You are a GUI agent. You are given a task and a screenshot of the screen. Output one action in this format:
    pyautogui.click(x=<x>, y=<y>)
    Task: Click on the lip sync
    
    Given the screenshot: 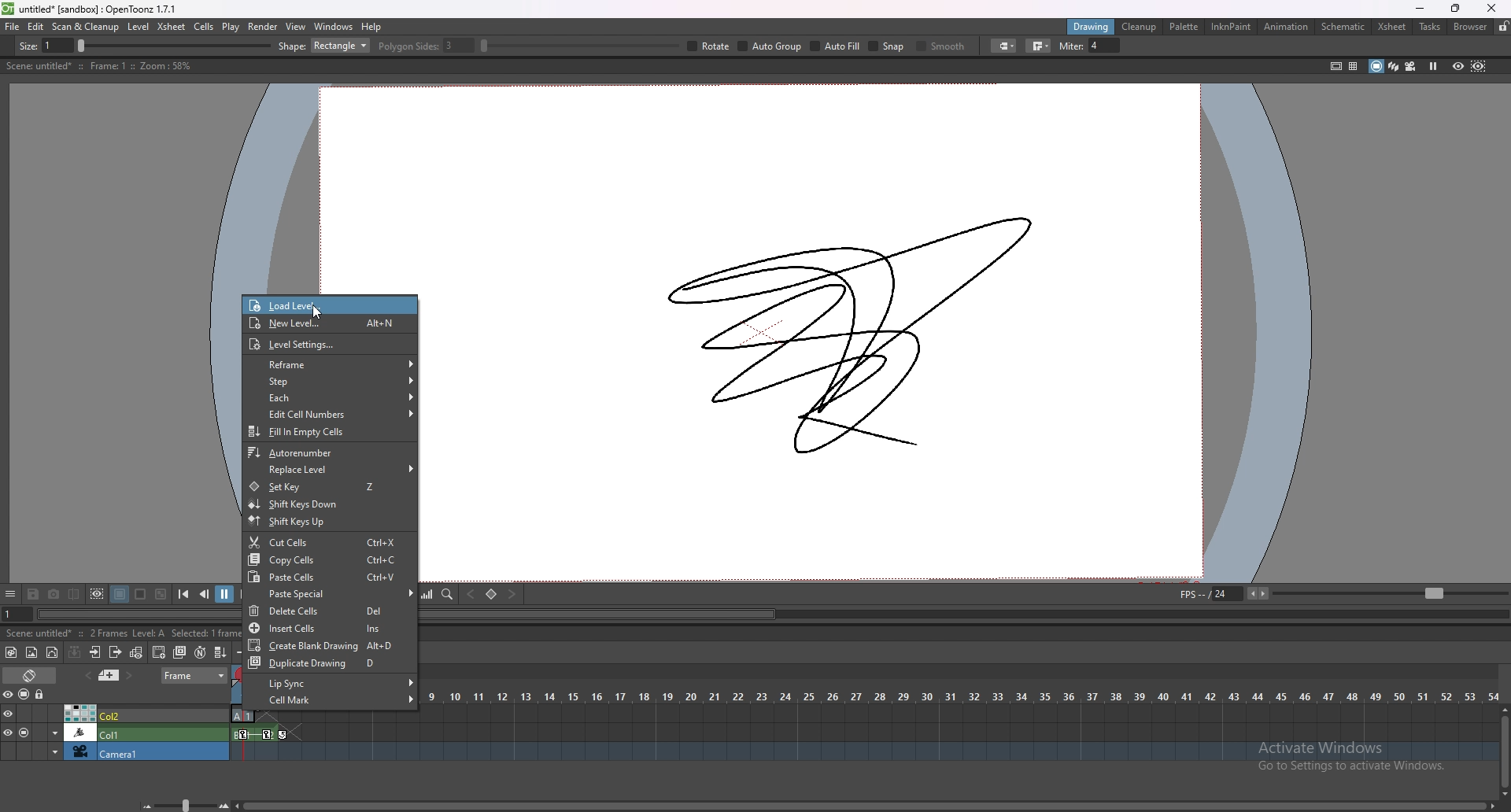 What is the action you would take?
    pyautogui.click(x=331, y=683)
    